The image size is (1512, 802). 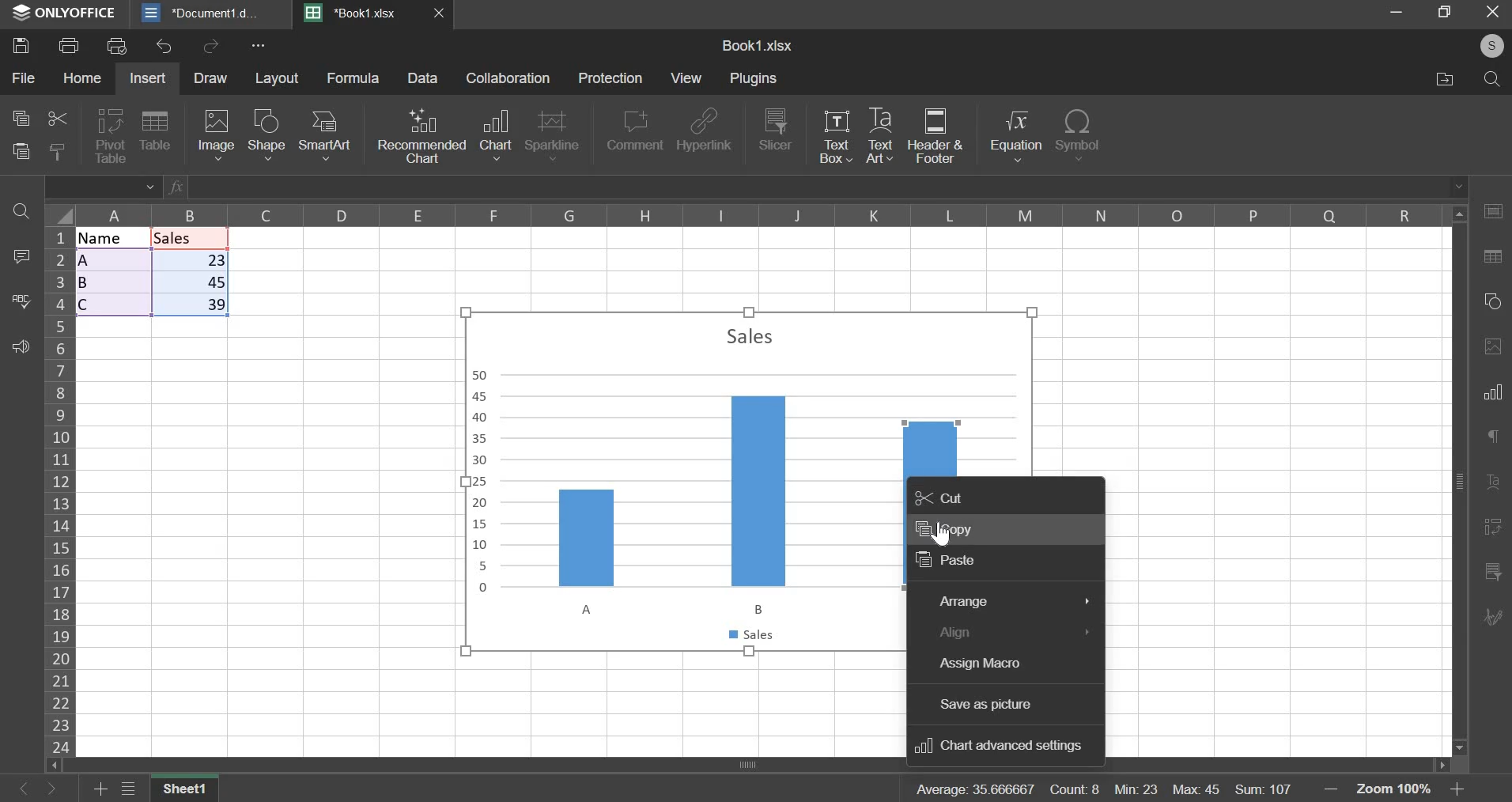 What do you see at coordinates (704, 130) in the screenshot?
I see `hyperlink` at bounding box center [704, 130].